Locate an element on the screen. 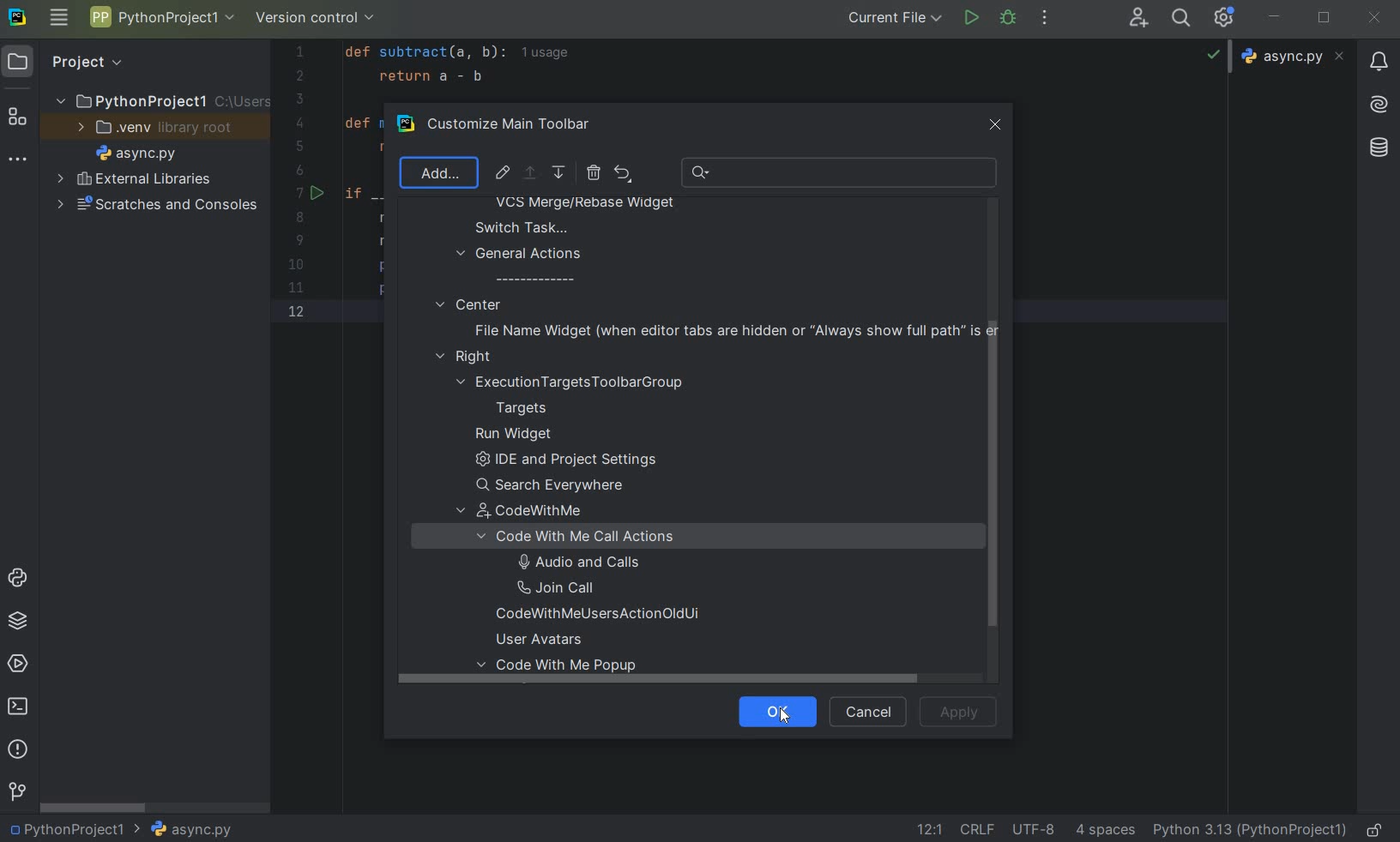 Image resolution: width=1400 pixels, height=842 pixels. Cursor is located at coordinates (785, 714).